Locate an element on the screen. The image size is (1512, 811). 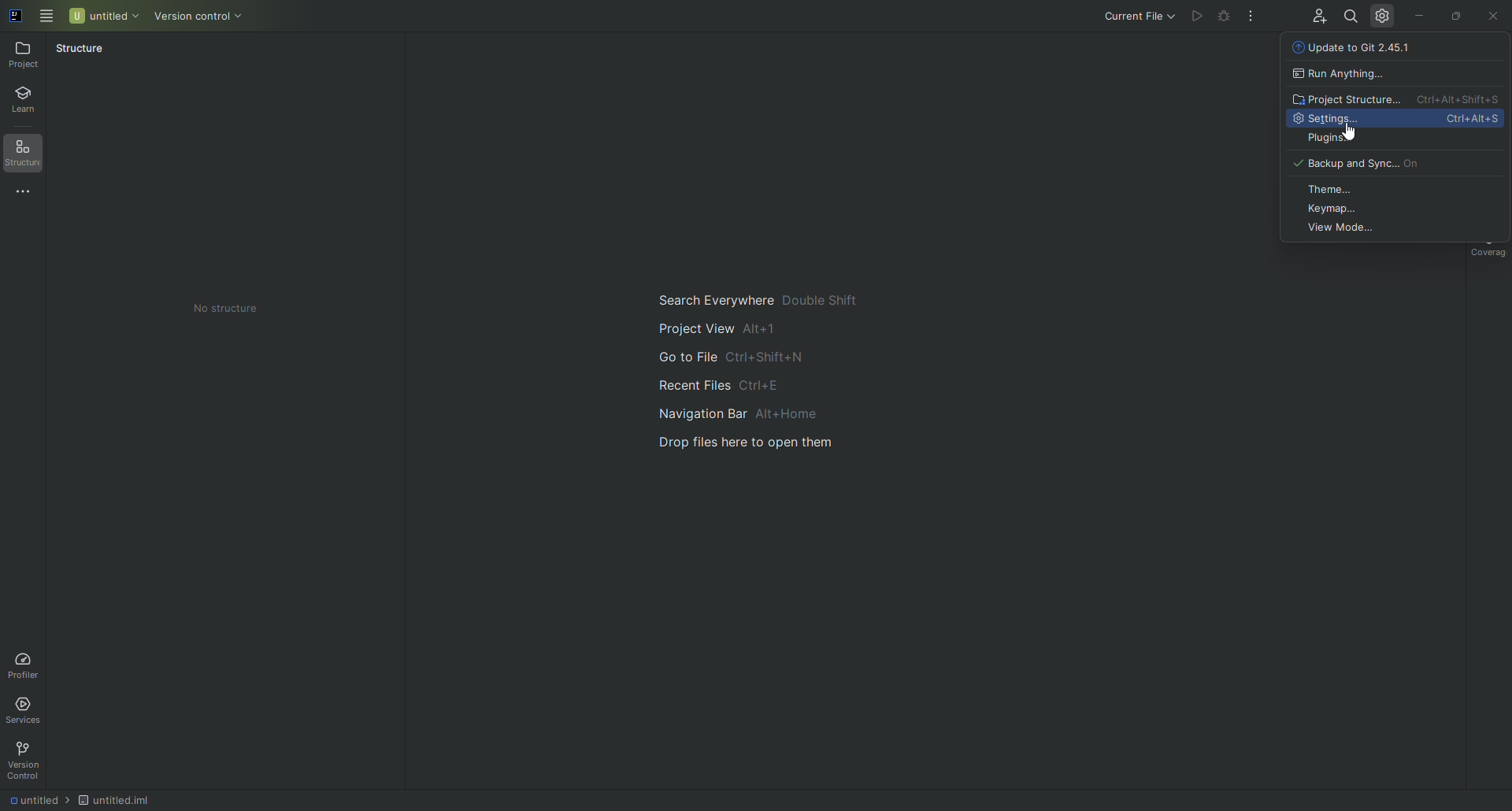
Version Control is located at coordinates (24, 763).